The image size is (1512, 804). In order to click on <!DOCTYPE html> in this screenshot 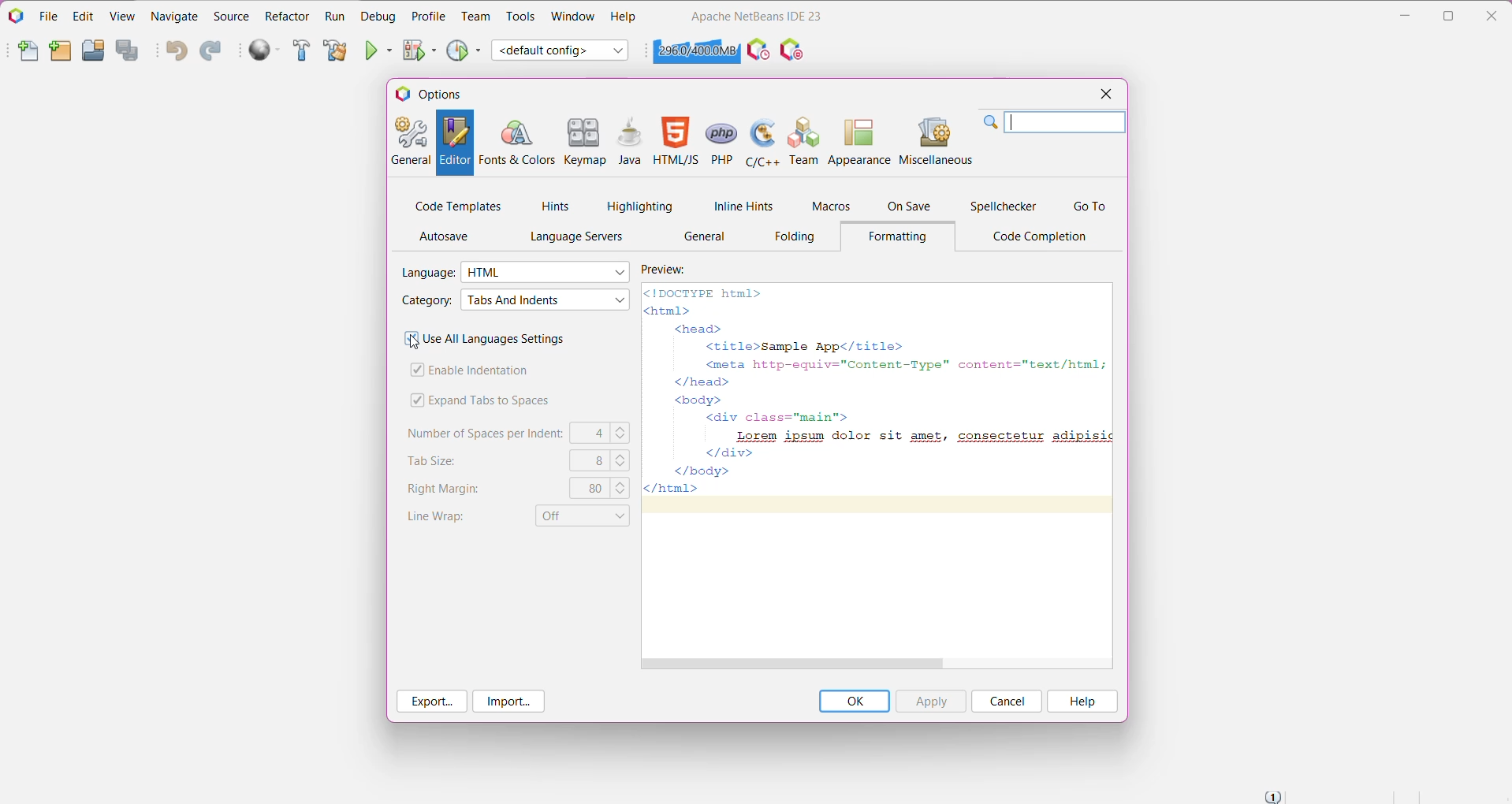, I will do `click(703, 293)`.